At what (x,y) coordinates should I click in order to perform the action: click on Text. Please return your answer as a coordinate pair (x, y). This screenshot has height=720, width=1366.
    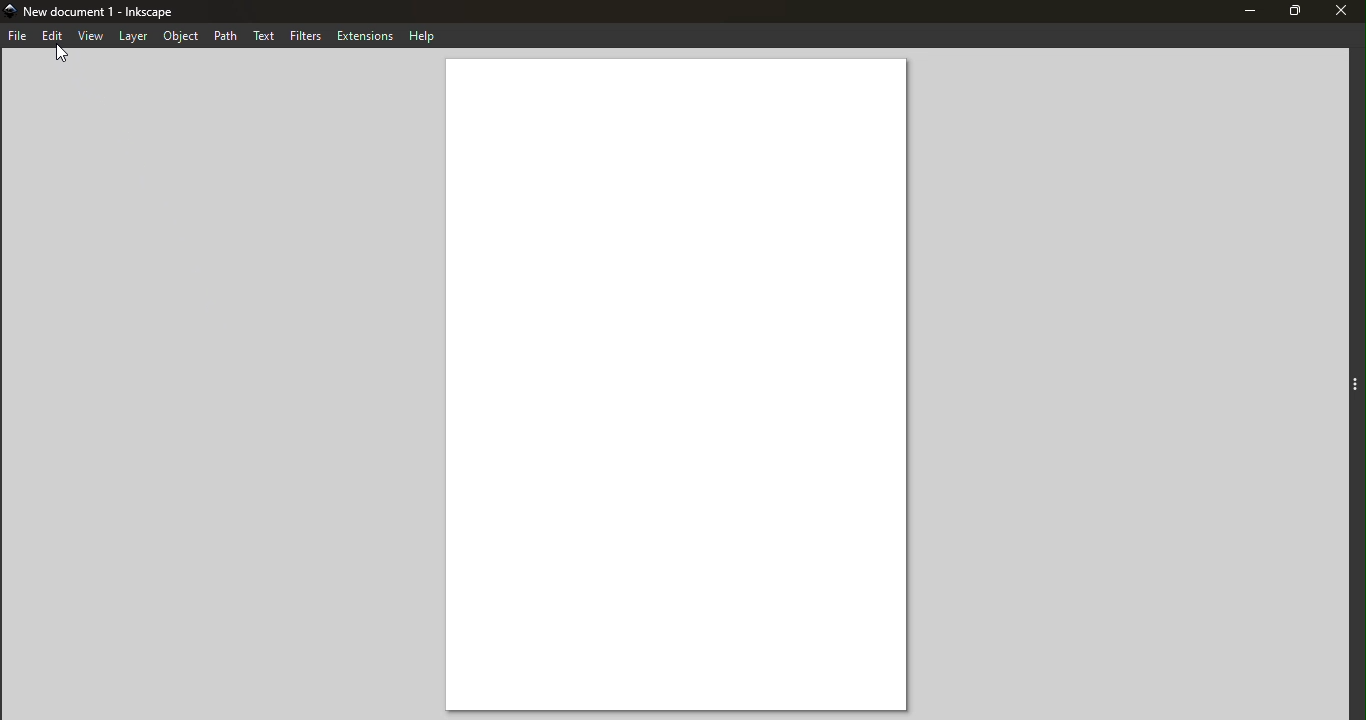
    Looking at the image, I should click on (265, 34).